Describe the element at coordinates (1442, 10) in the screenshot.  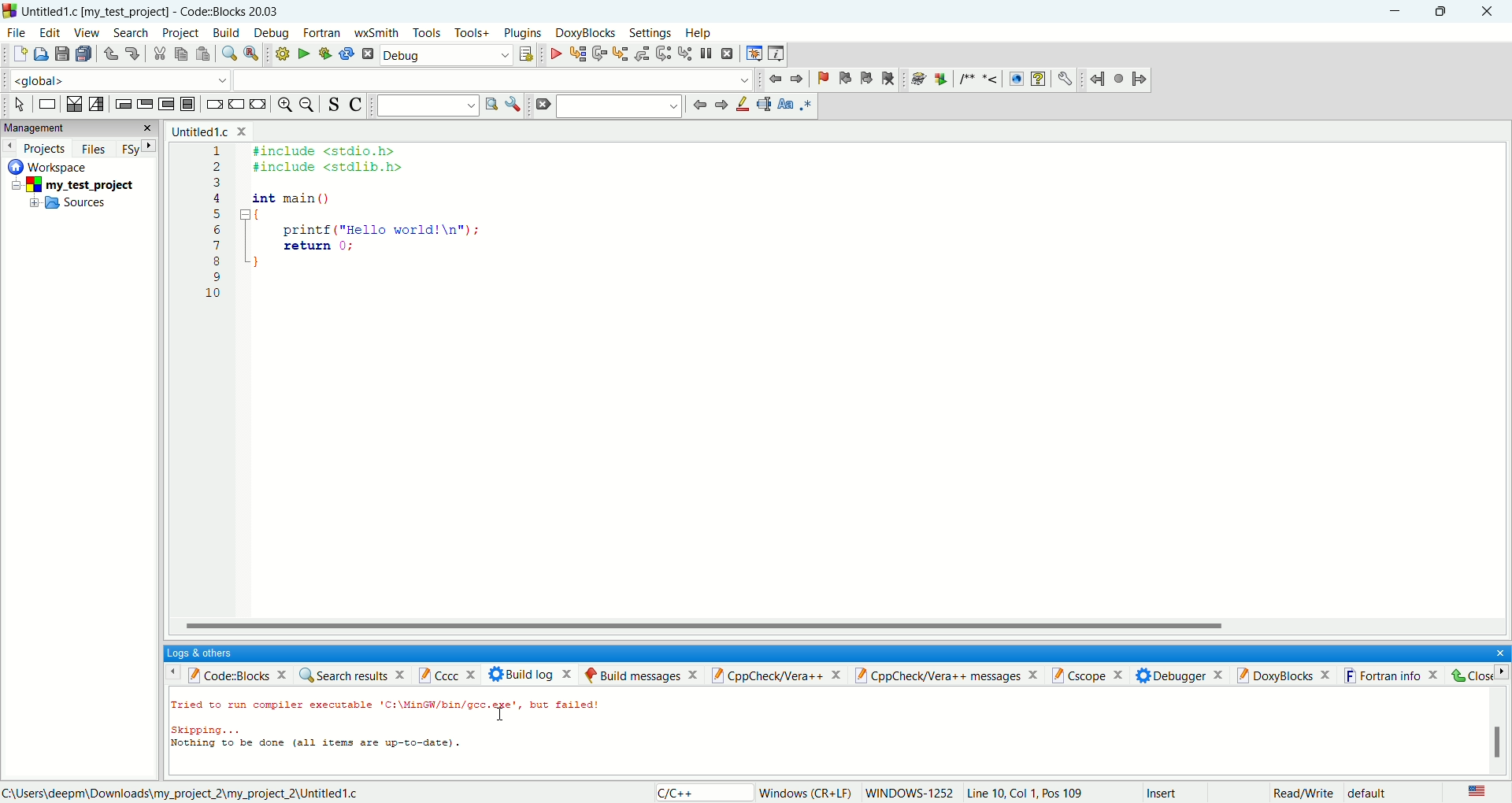
I see `maximize` at that location.